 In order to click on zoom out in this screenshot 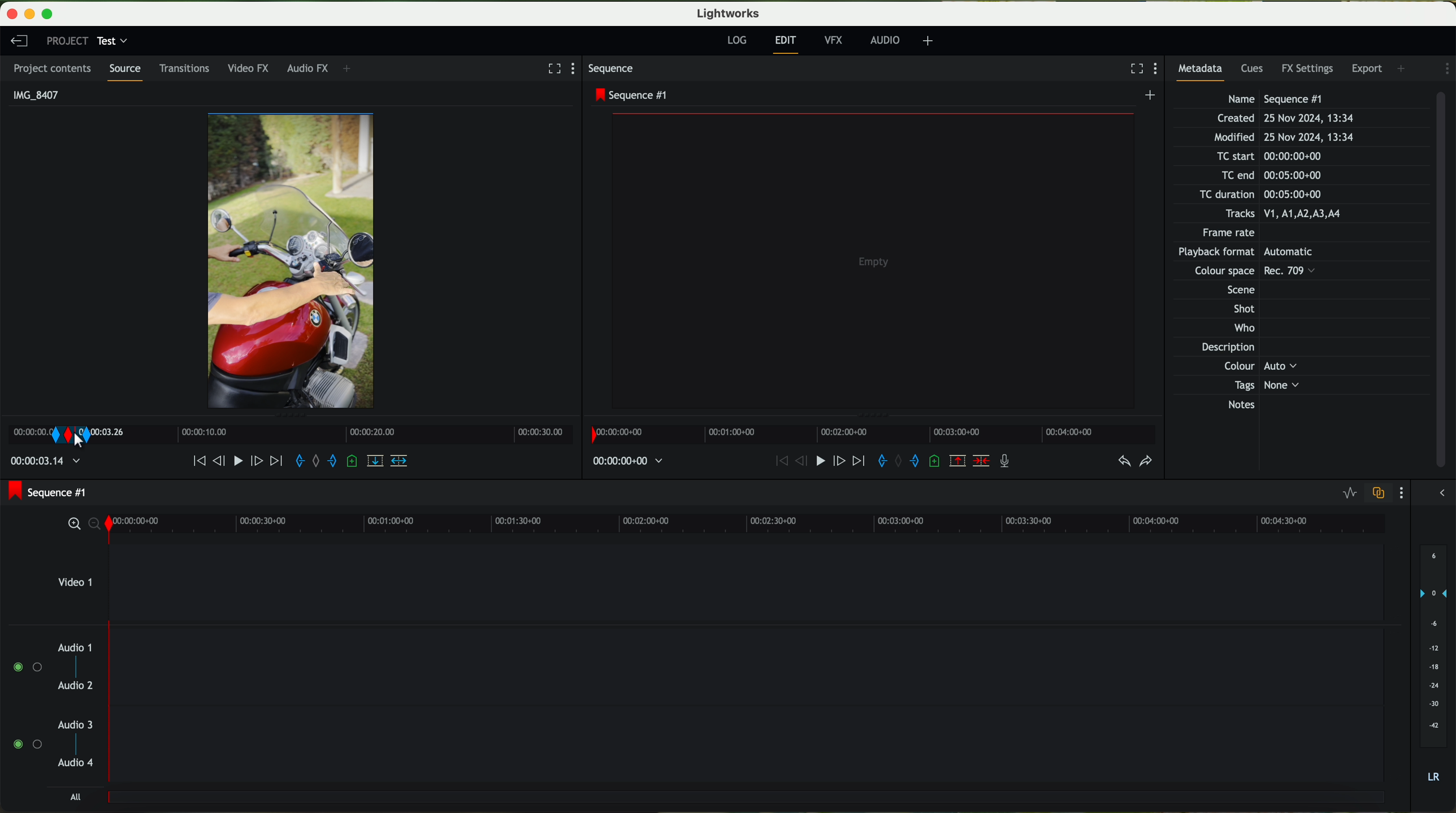, I will do `click(94, 526)`.